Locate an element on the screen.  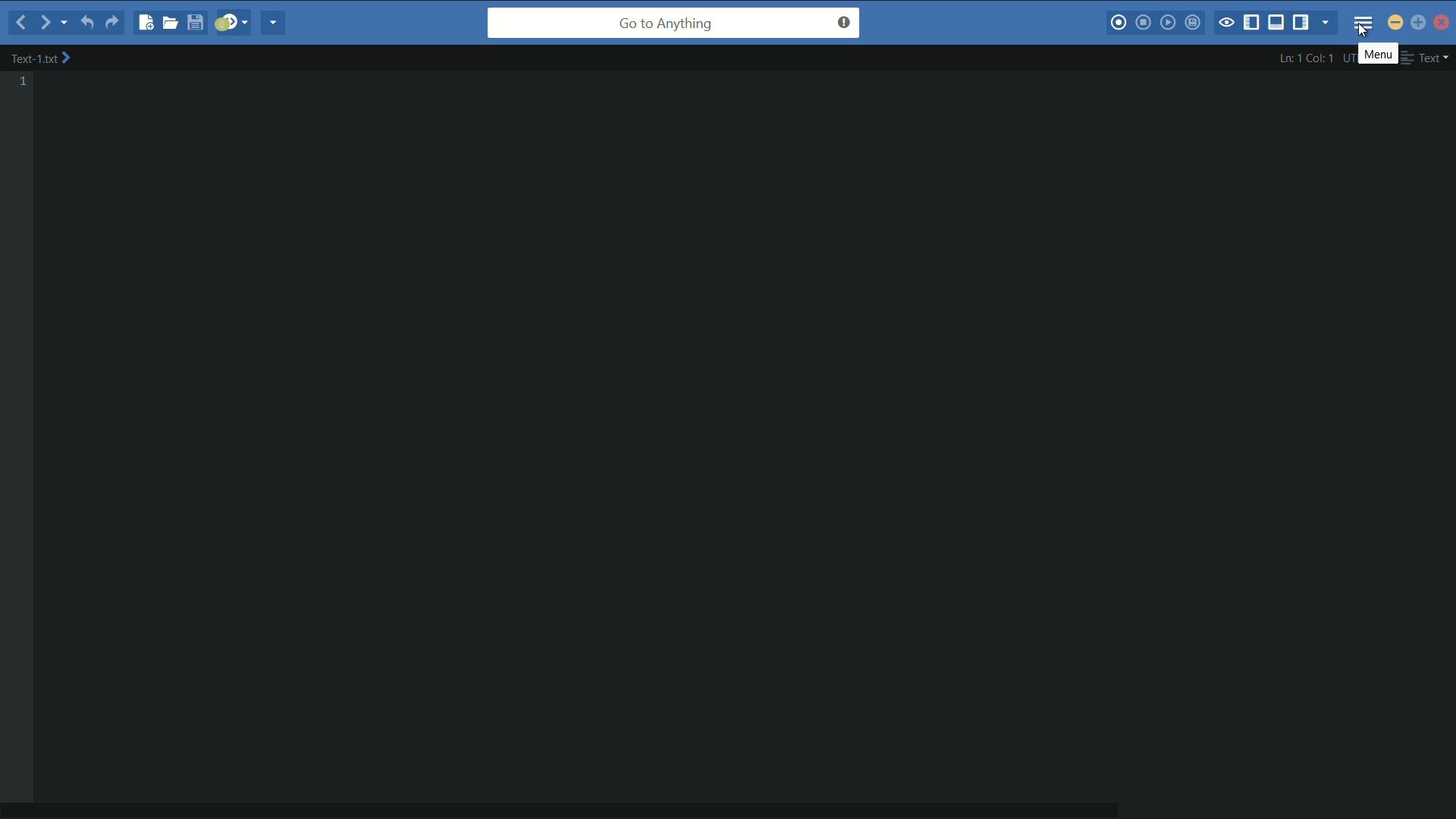
play last macro is located at coordinates (1168, 23).